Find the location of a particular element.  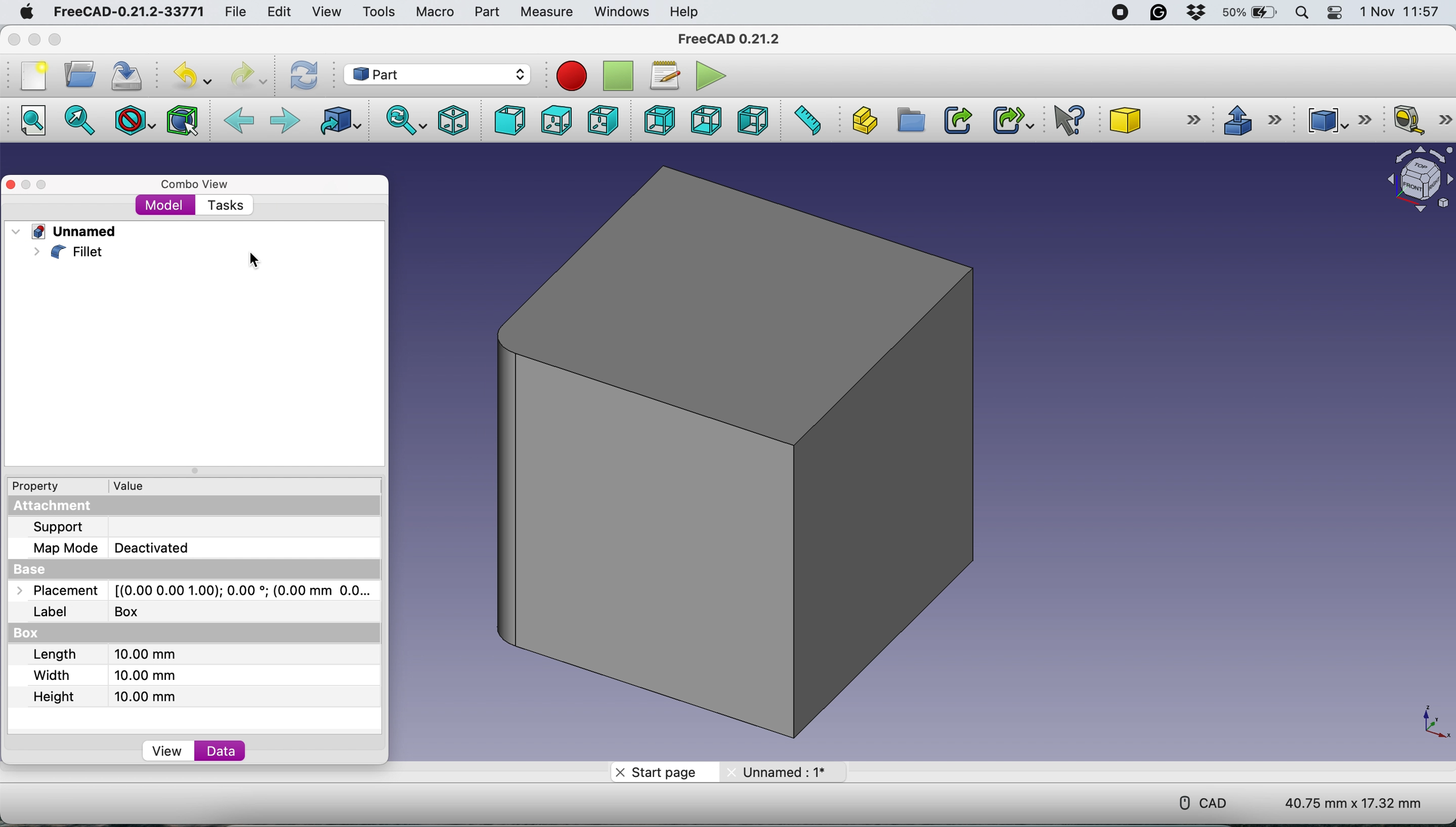

front is located at coordinates (509, 121).